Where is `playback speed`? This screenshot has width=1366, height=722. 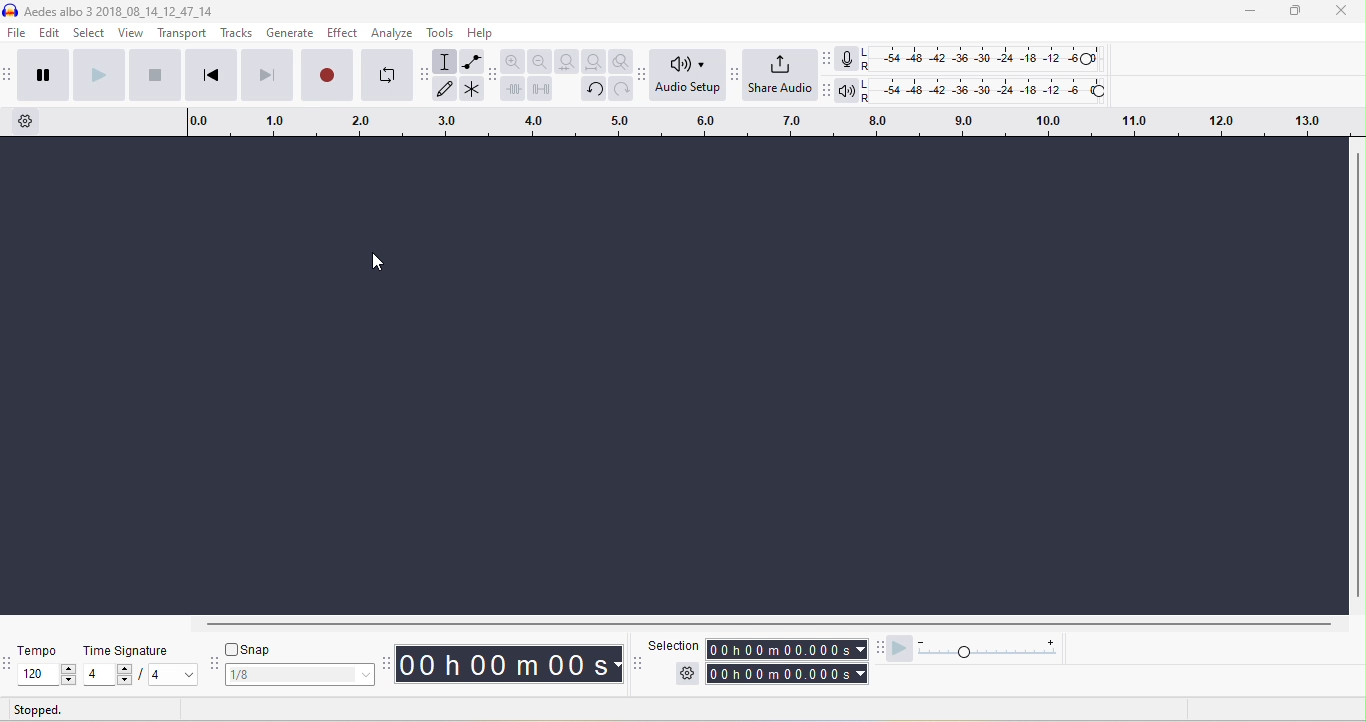
playback speed is located at coordinates (992, 649).